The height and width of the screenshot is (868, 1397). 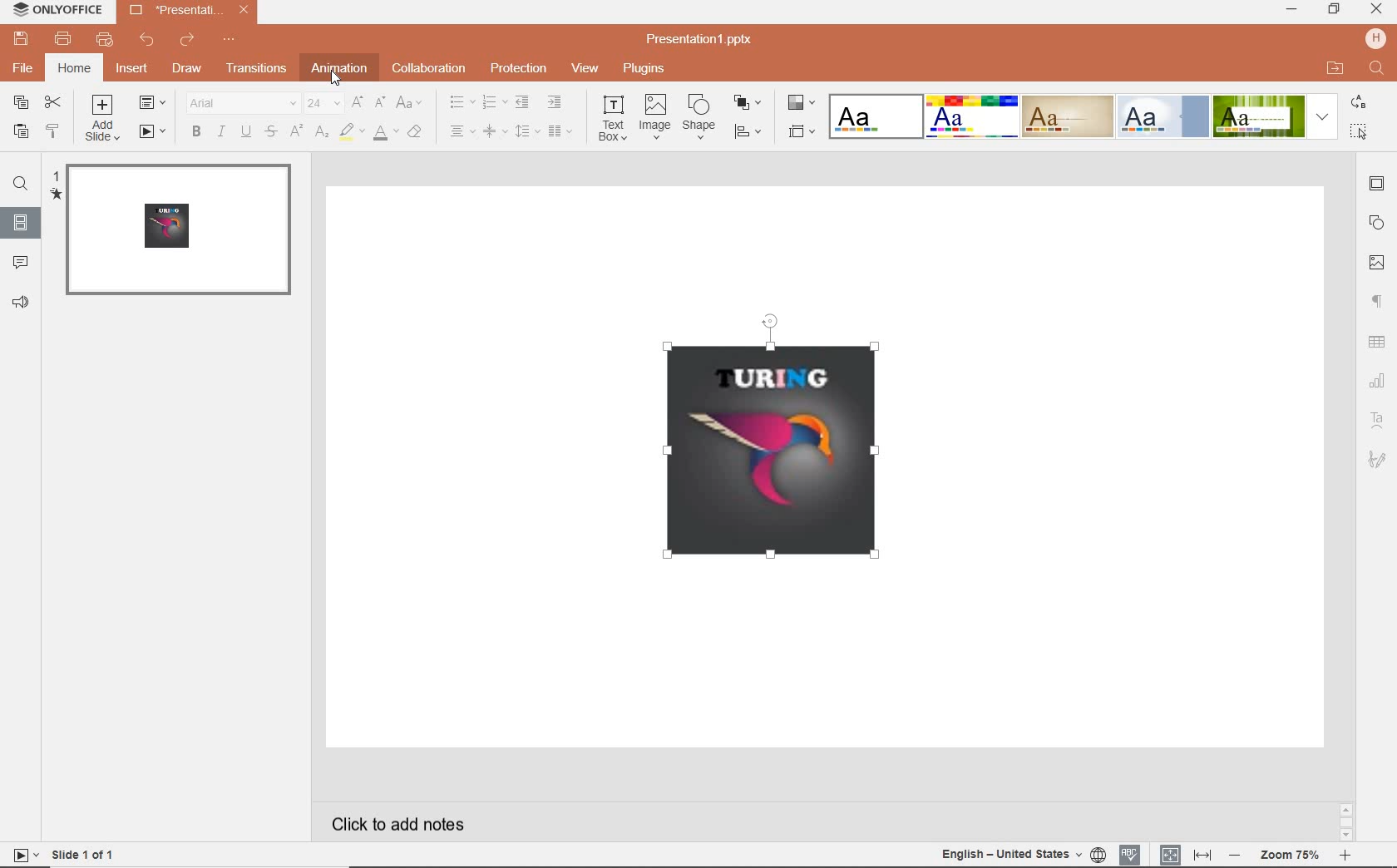 I want to click on grean leaf, so click(x=1259, y=116).